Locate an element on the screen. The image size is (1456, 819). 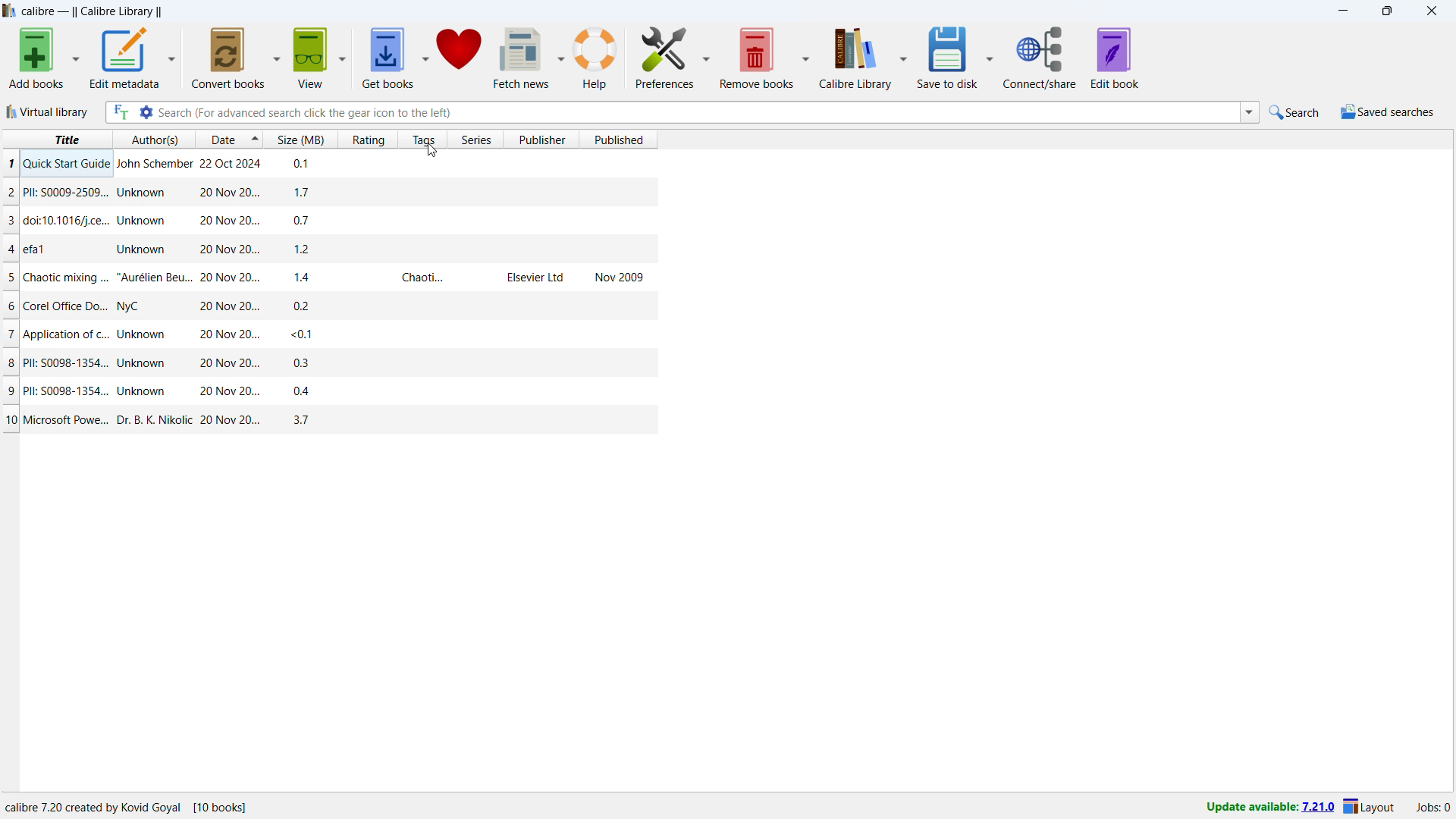
sort by series is located at coordinates (475, 139).